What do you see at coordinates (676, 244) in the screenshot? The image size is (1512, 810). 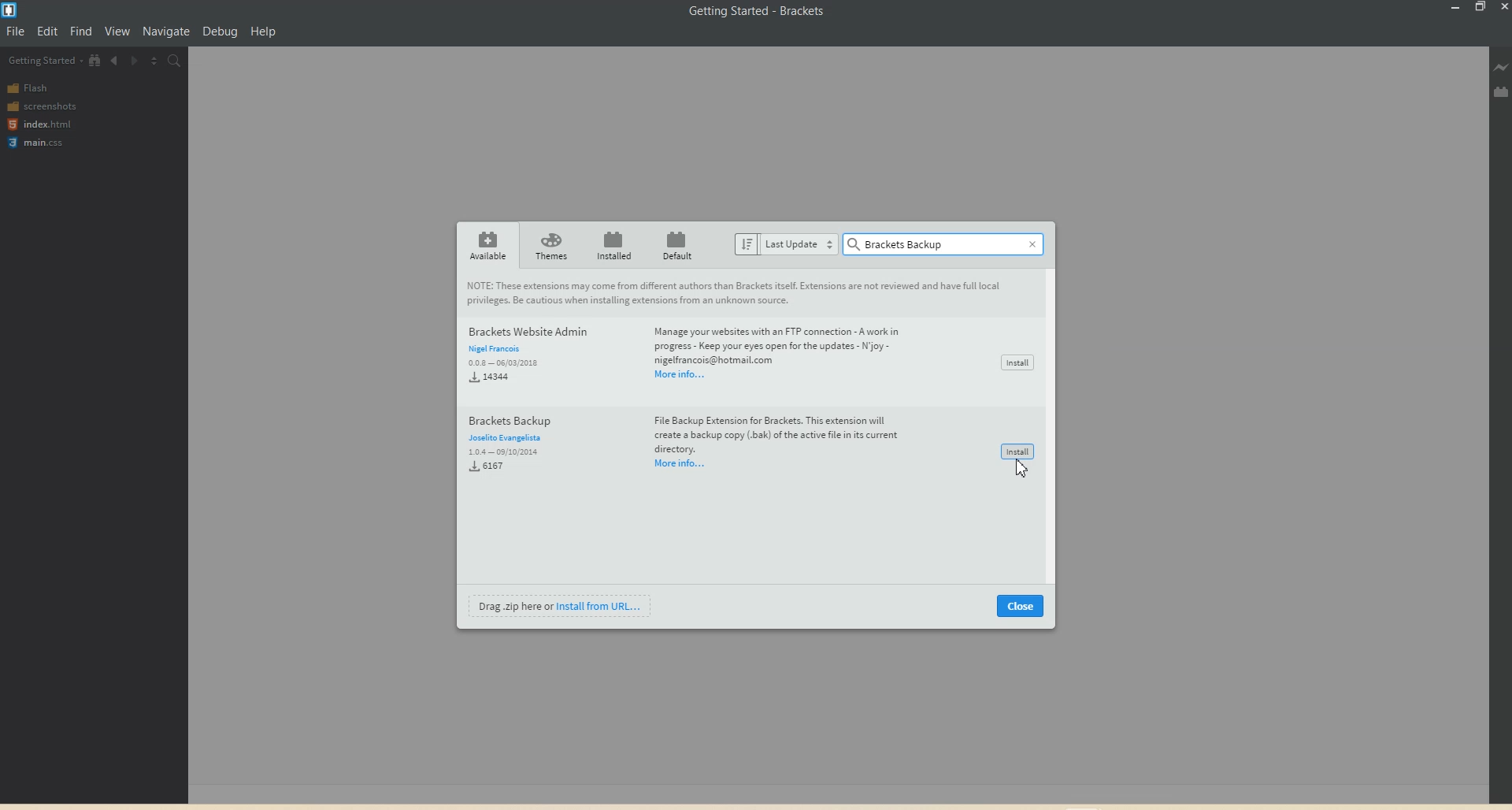 I see `Default` at bounding box center [676, 244].